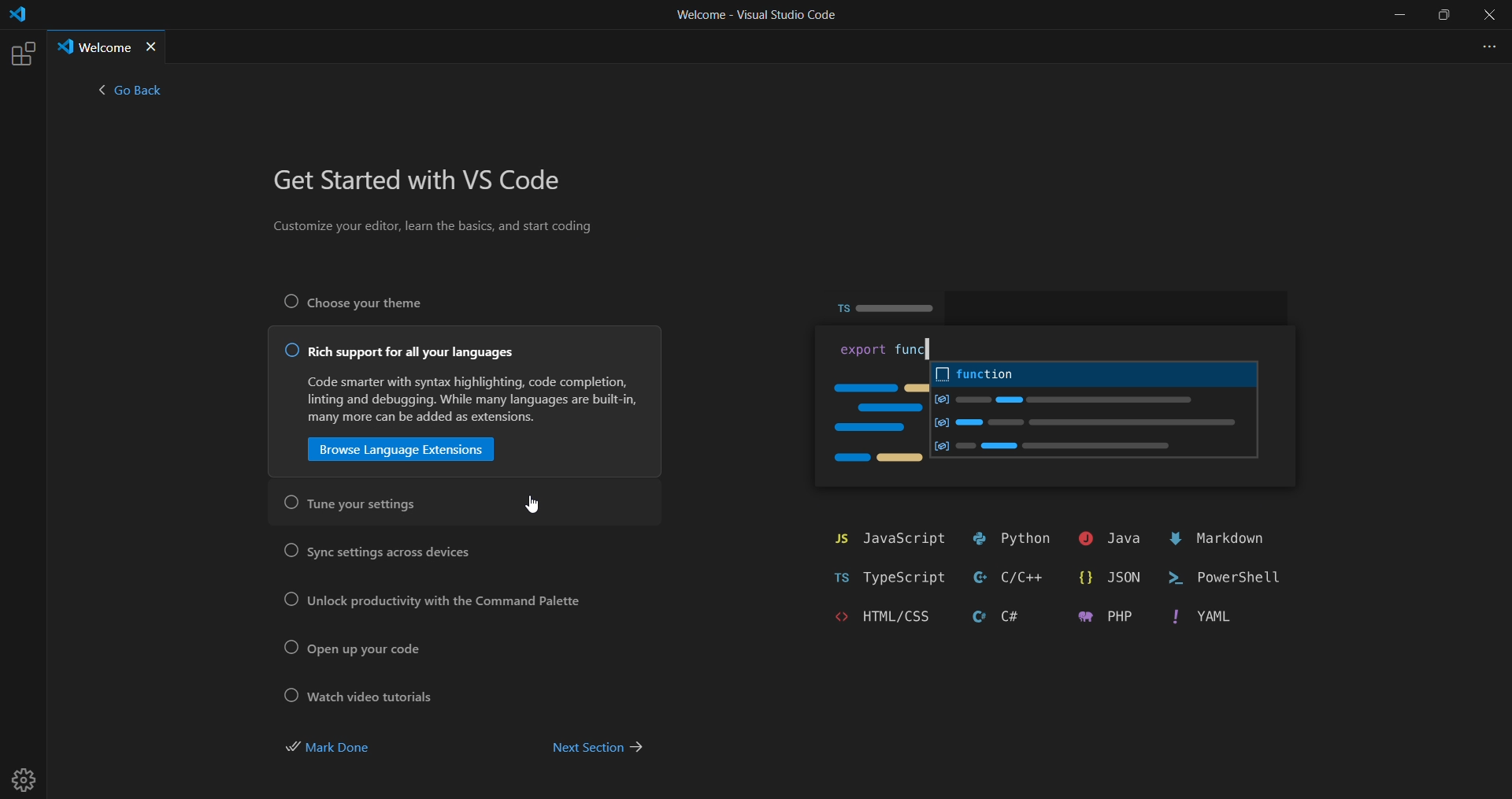 The width and height of the screenshot is (1512, 799). What do you see at coordinates (528, 504) in the screenshot?
I see `cursor` at bounding box center [528, 504].